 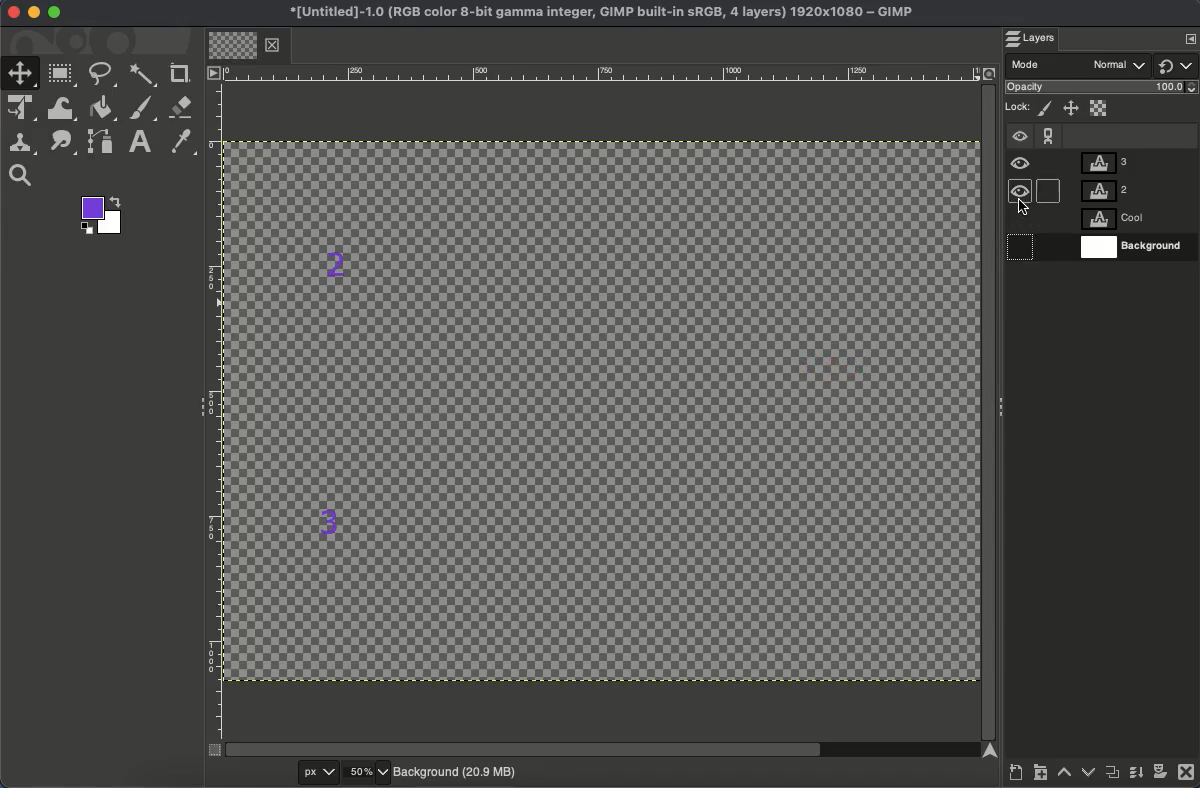 What do you see at coordinates (1041, 776) in the screenshot?
I see `Create new layer group` at bounding box center [1041, 776].